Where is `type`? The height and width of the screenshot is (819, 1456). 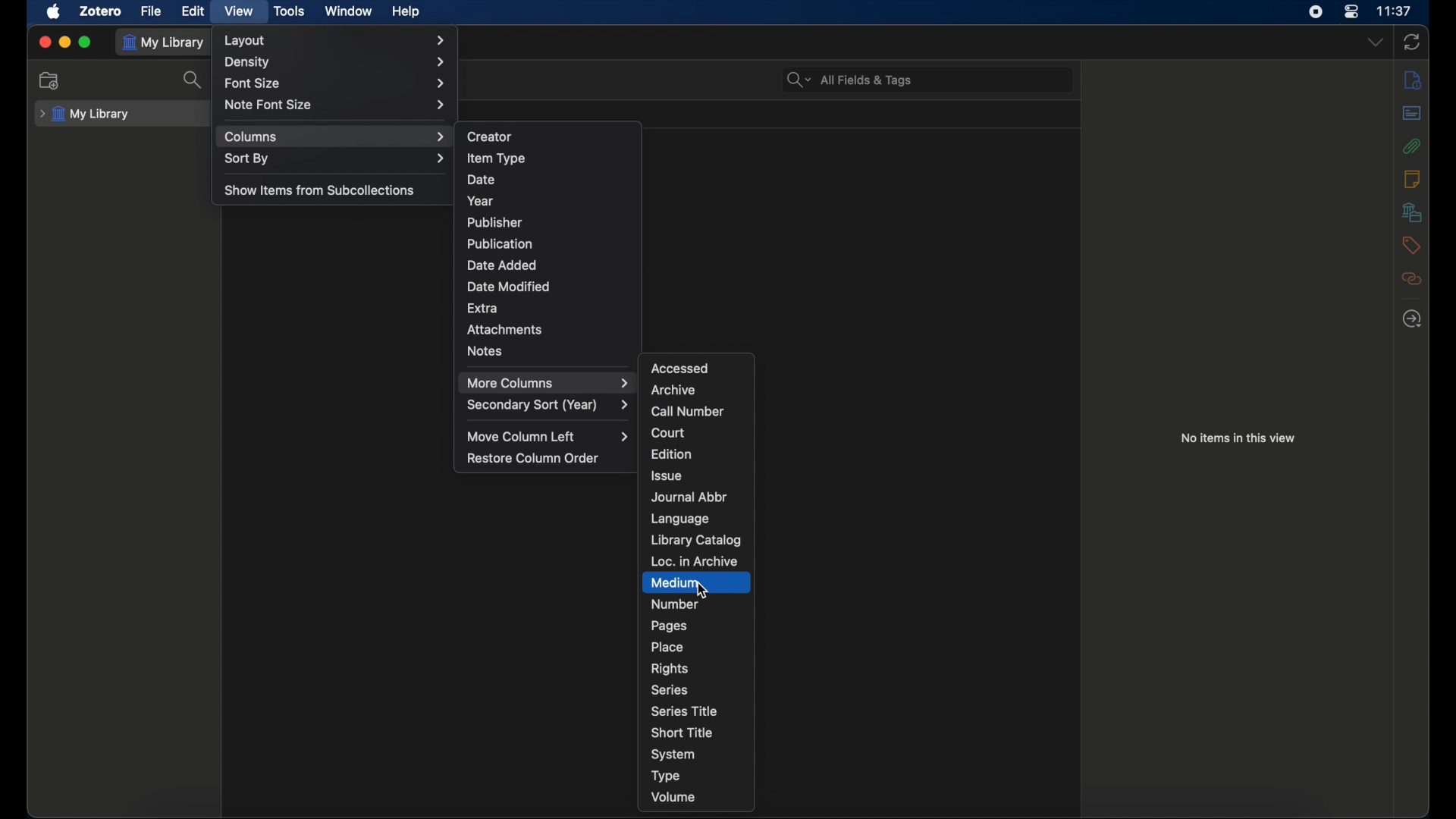
type is located at coordinates (666, 777).